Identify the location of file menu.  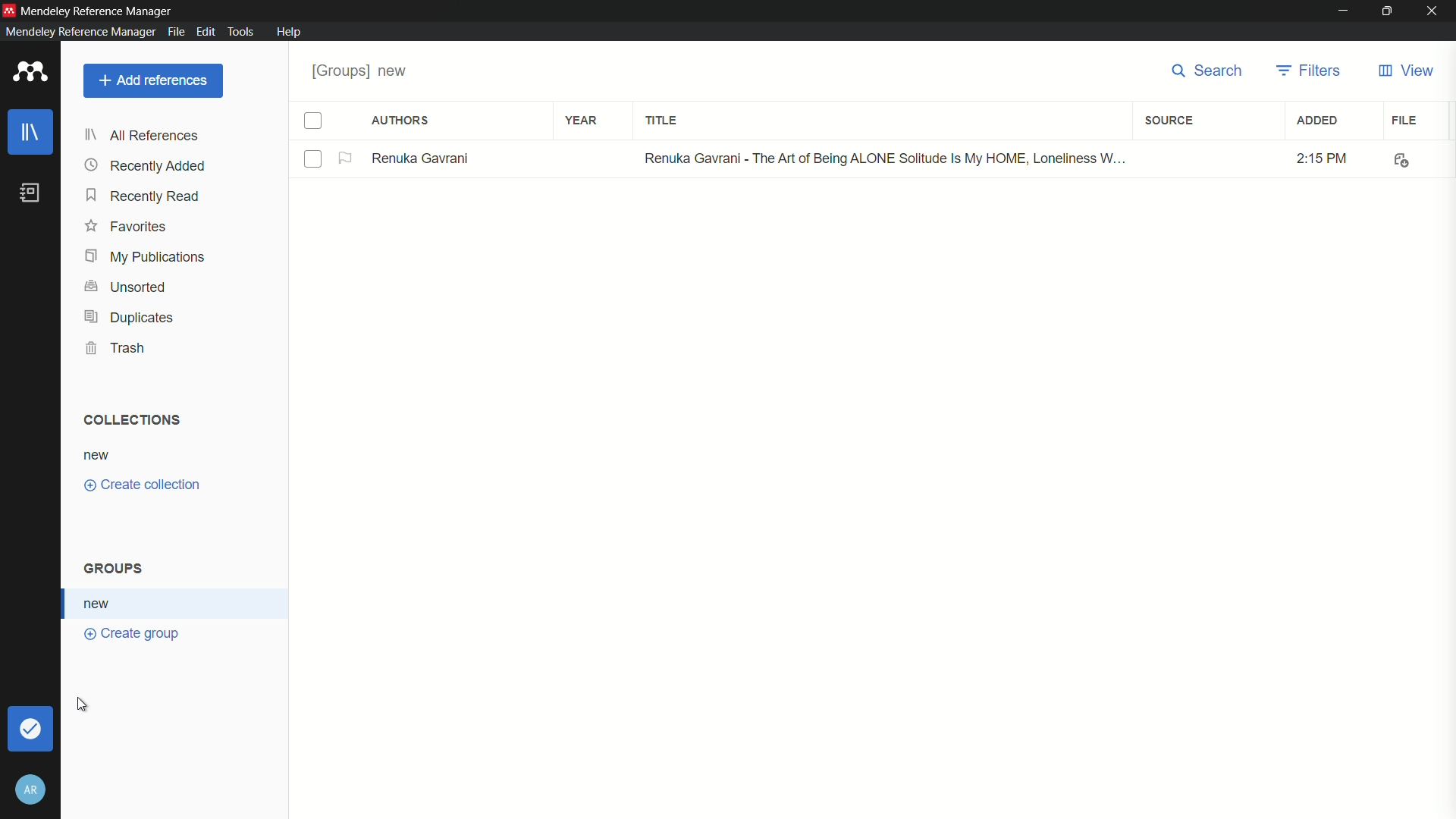
(176, 32).